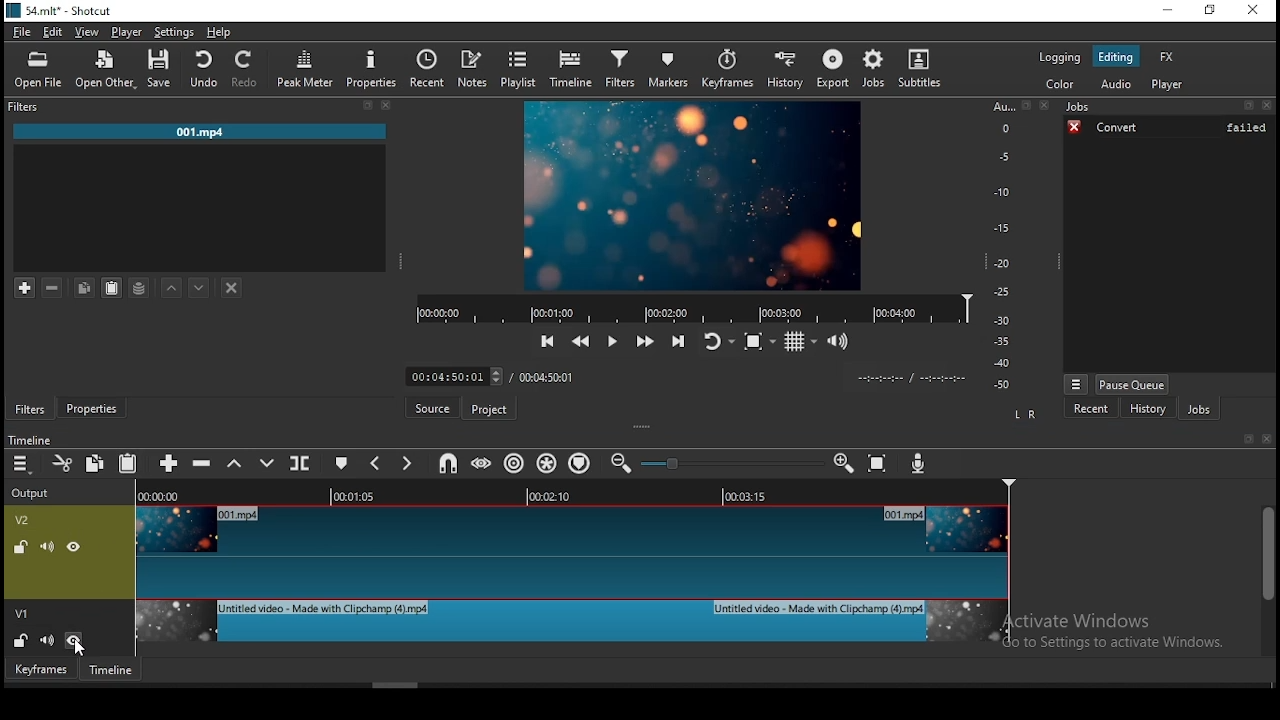 The width and height of the screenshot is (1280, 720). I want to click on scrub while dragging, so click(483, 463).